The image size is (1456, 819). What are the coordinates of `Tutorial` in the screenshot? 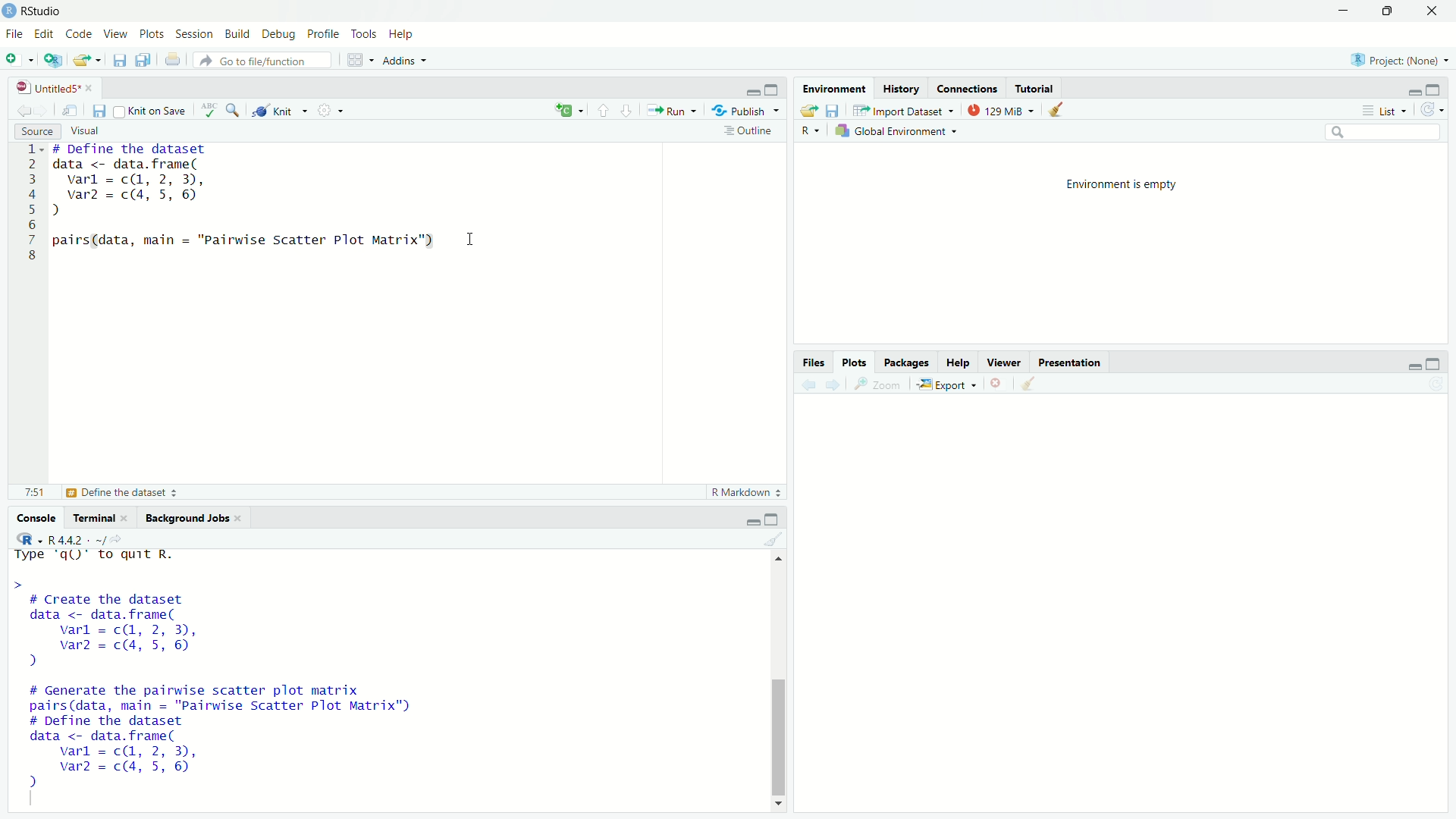 It's located at (1037, 88).